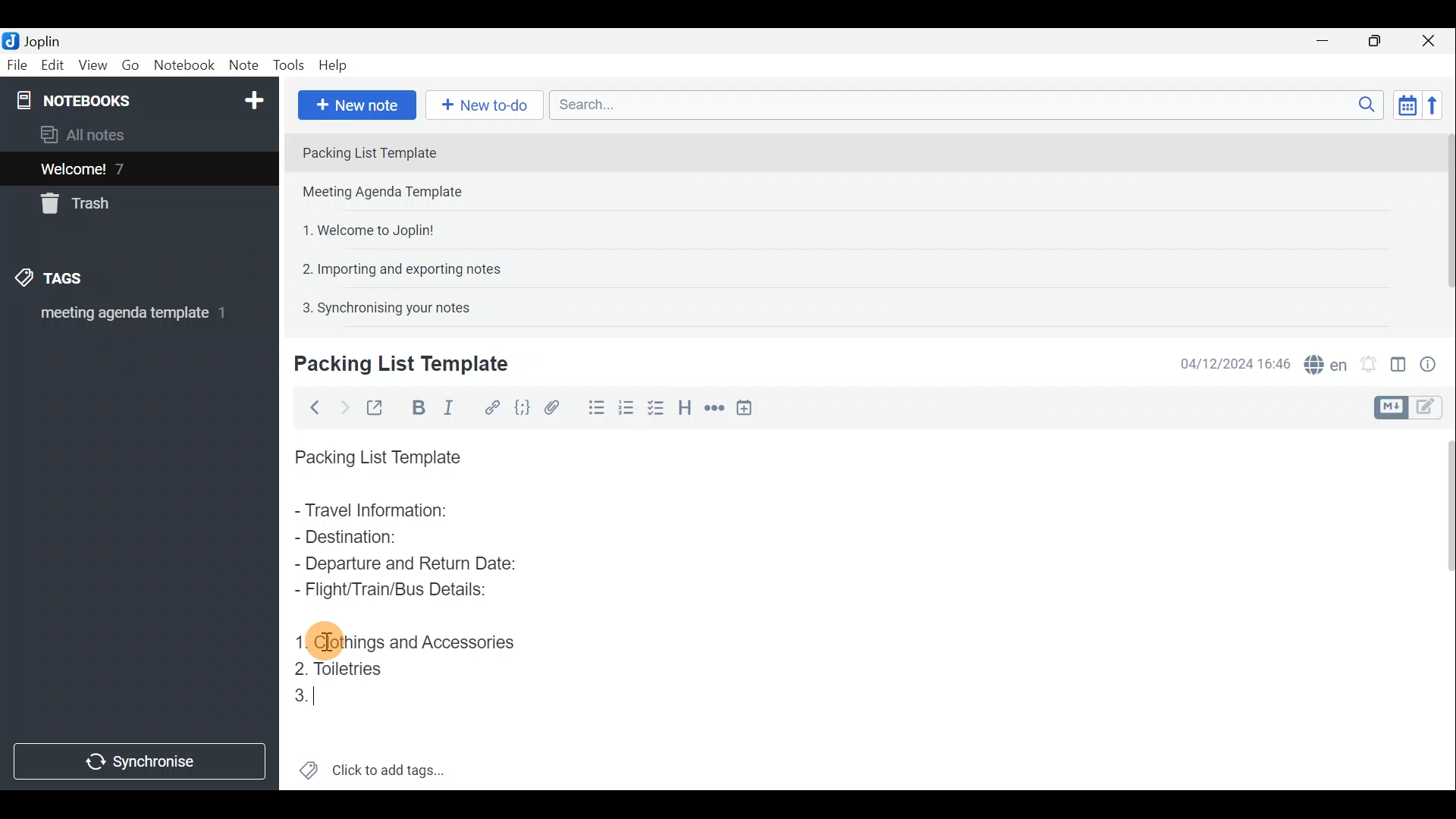 The image size is (1456, 819). I want to click on Heading, so click(686, 406).